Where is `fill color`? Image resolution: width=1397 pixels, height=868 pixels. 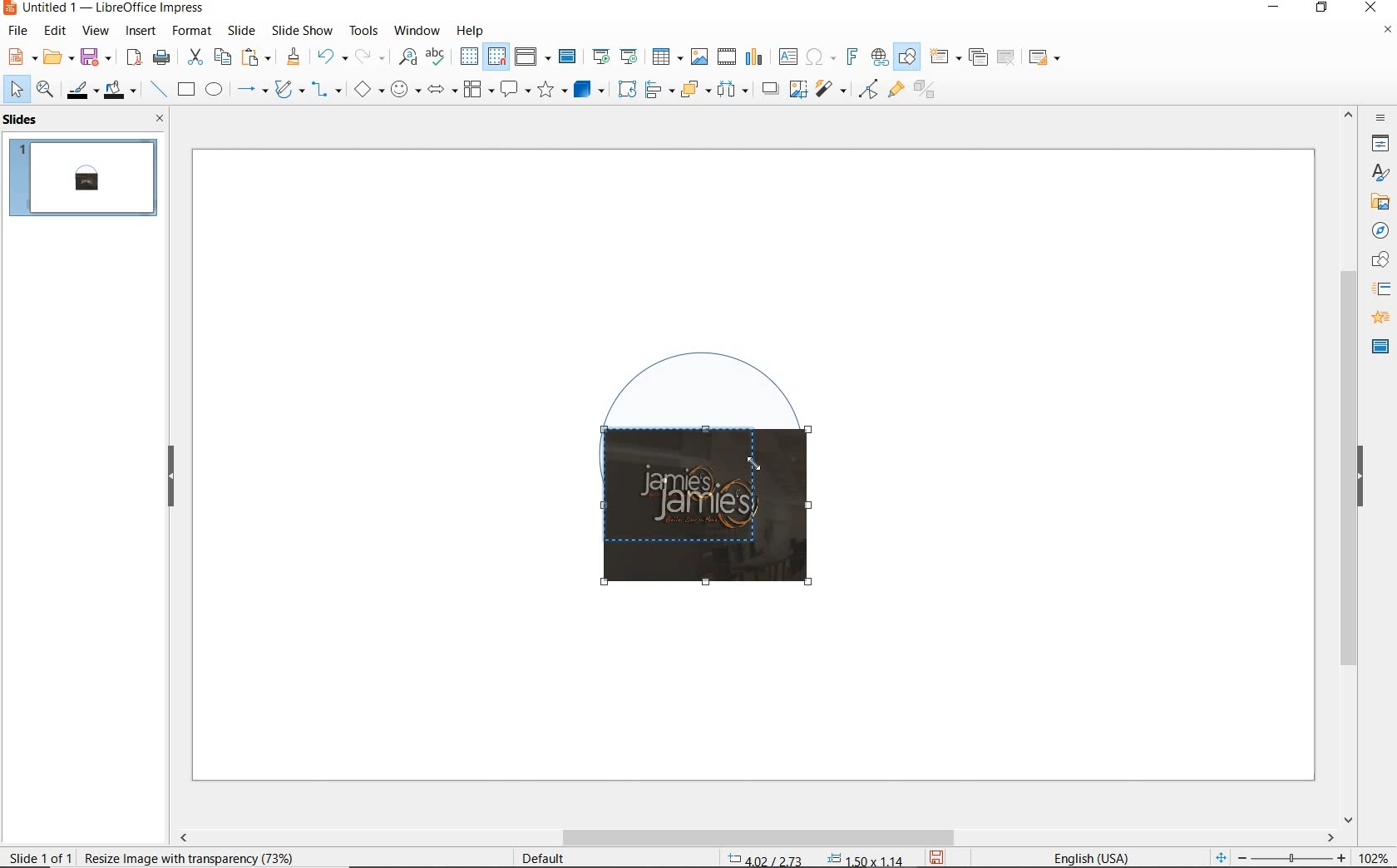 fill color is located at coordinates (122, 91).